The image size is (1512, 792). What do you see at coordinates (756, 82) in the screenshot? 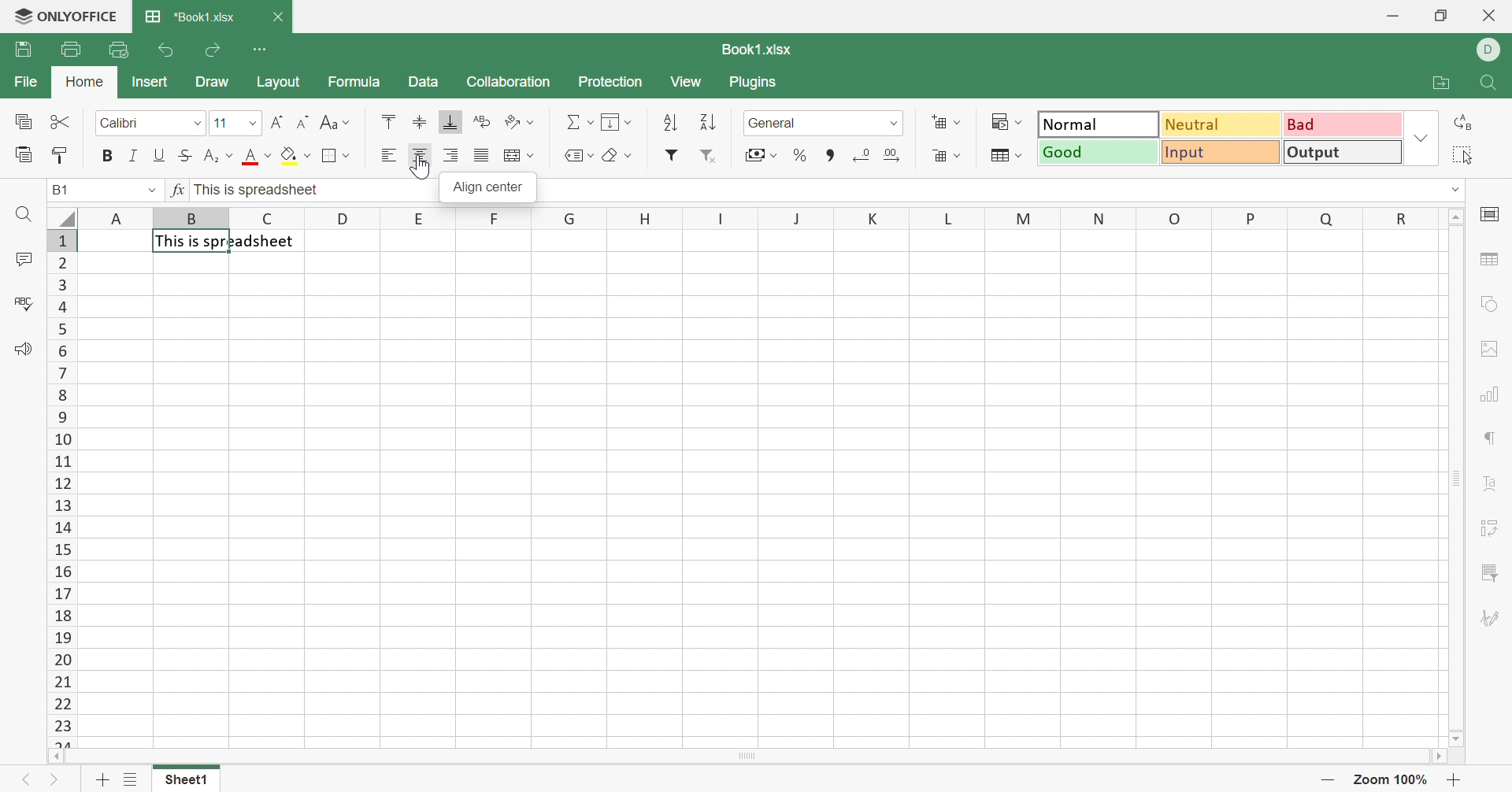
I see `Plugins` at bounding box center [756, 82].